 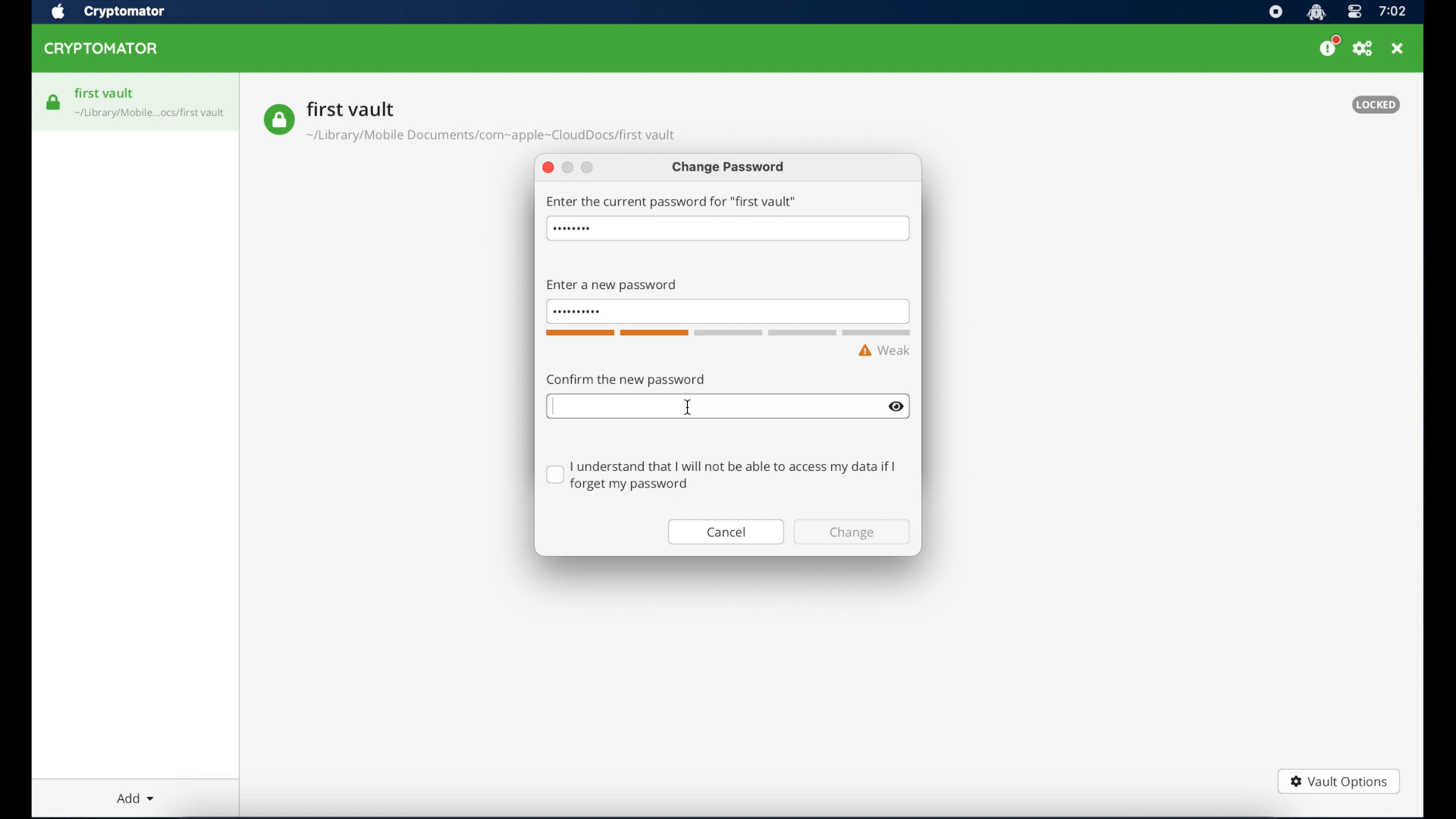 I want to click on time, so click(x=1392, y=12).